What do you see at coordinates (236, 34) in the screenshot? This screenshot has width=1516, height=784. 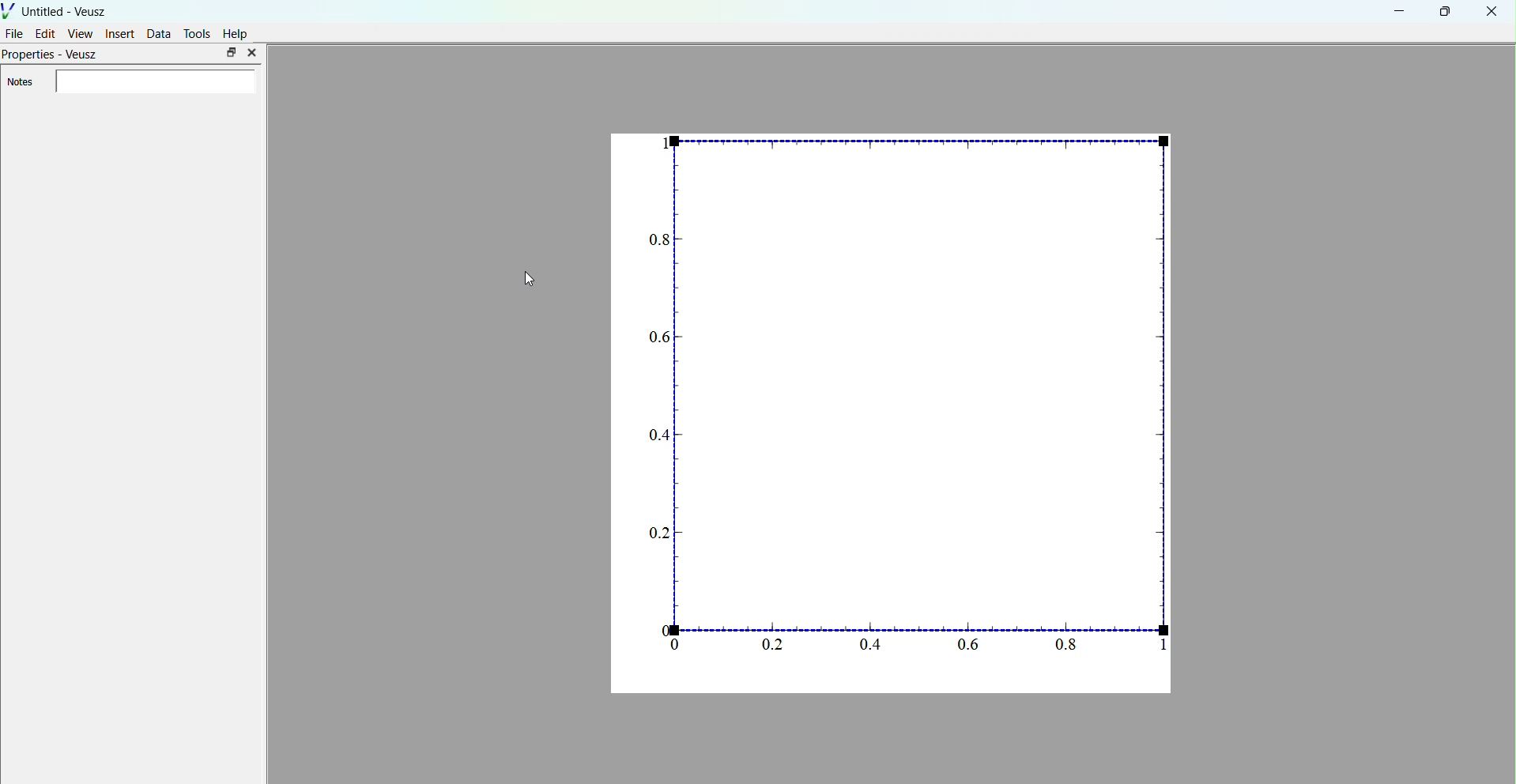 I see `Help` at bounding box center [236, 34].